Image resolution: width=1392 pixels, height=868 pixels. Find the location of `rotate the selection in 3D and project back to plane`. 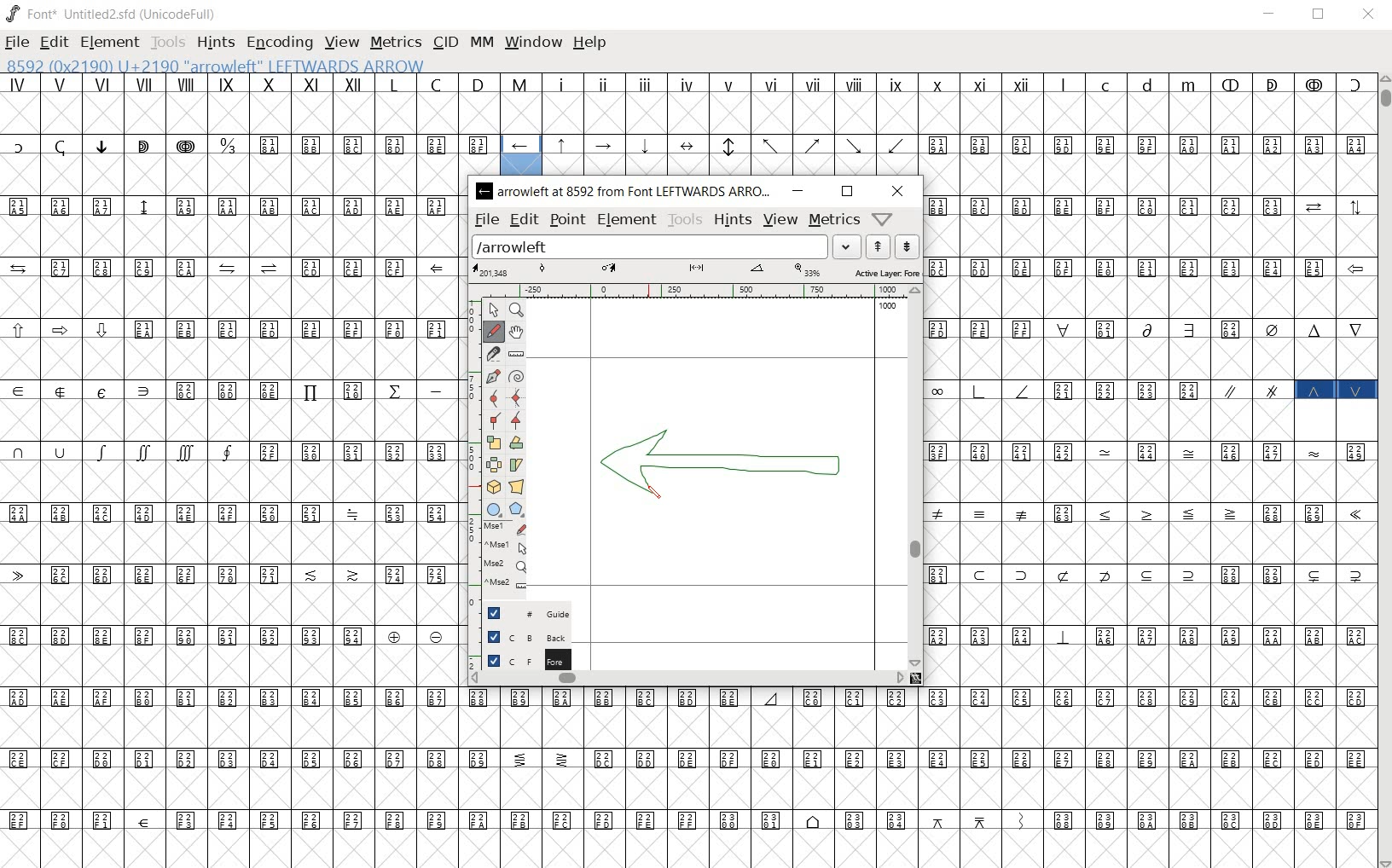

rotate the selection in 3D and project back to plane is located at coordinates (493, 488).